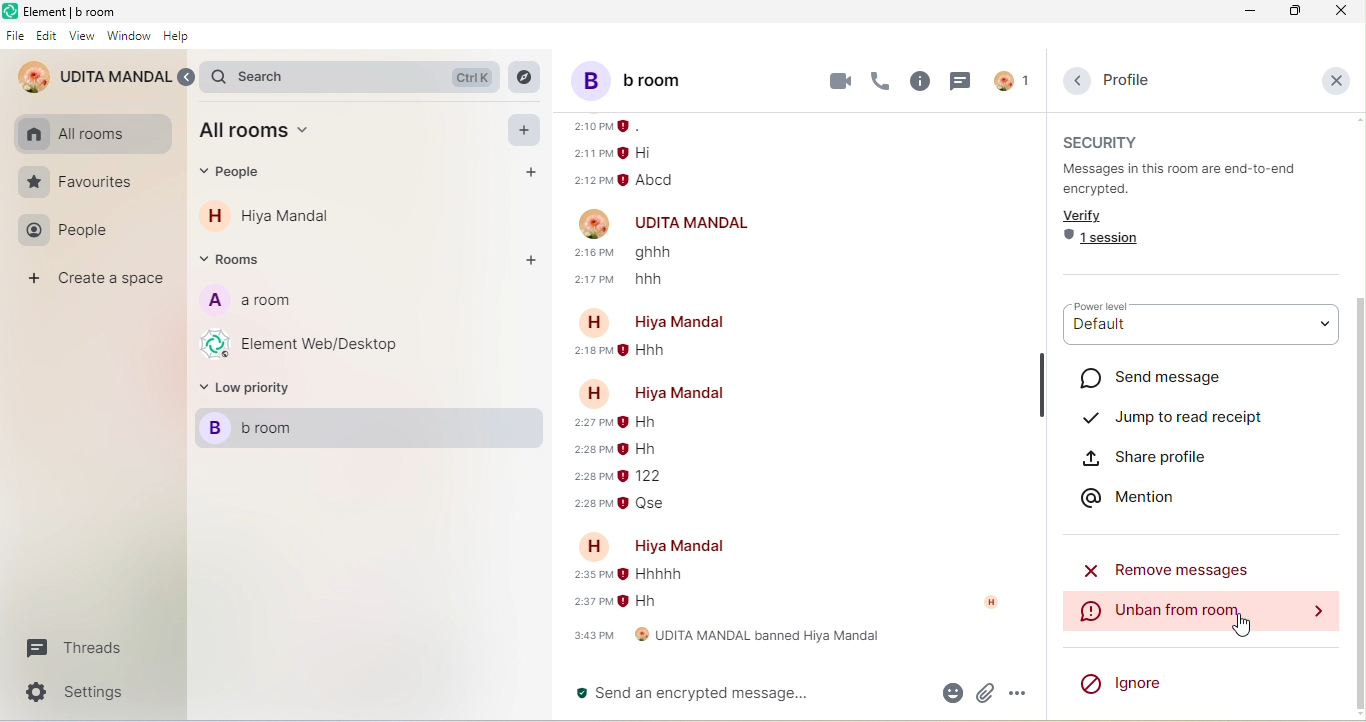 The image size is (1366, 722). What do you see at coordinates (100, 281) in the screenshot?
I see `create a space` at bounding box center [100, 281].